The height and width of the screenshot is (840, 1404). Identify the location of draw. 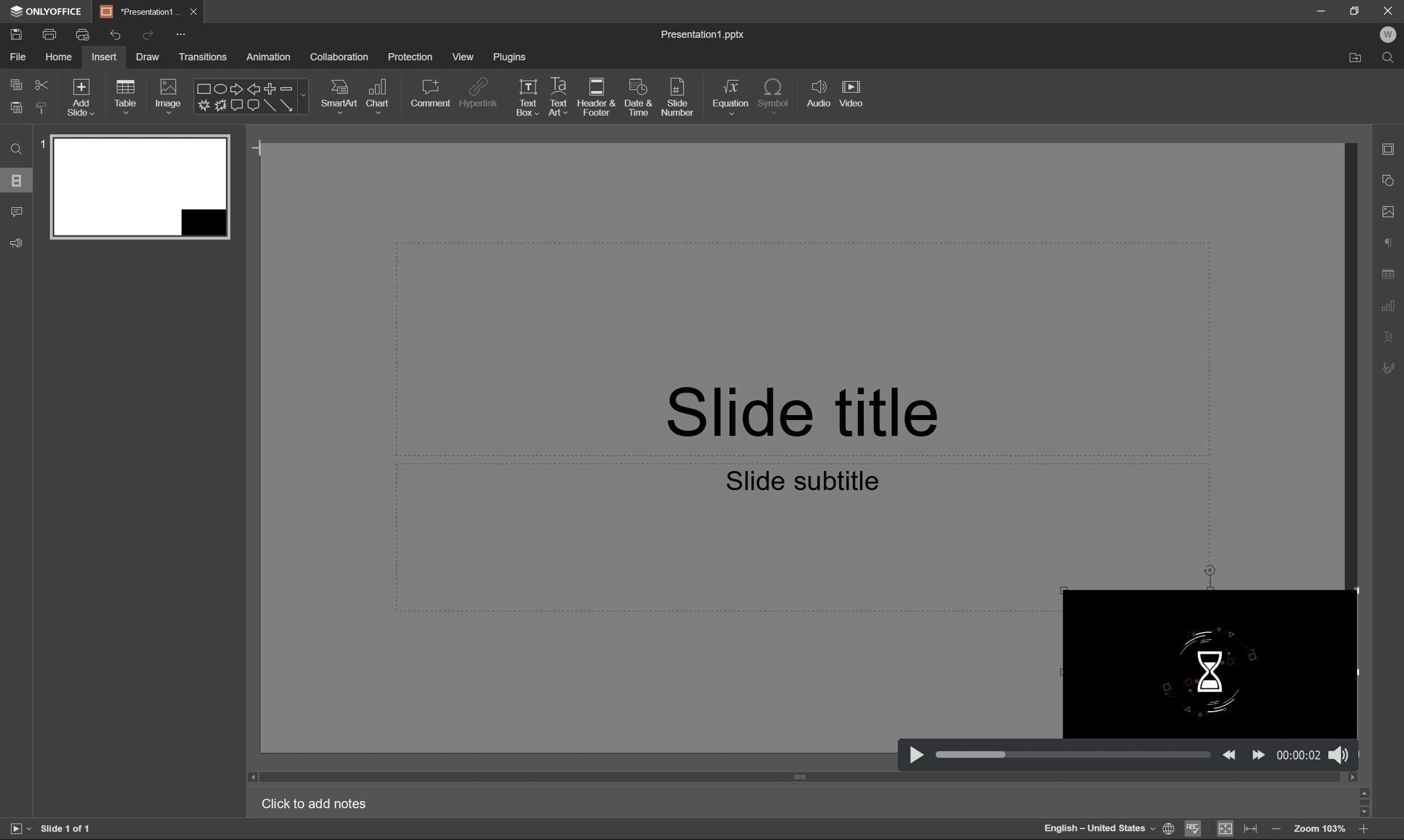
(148, 56).